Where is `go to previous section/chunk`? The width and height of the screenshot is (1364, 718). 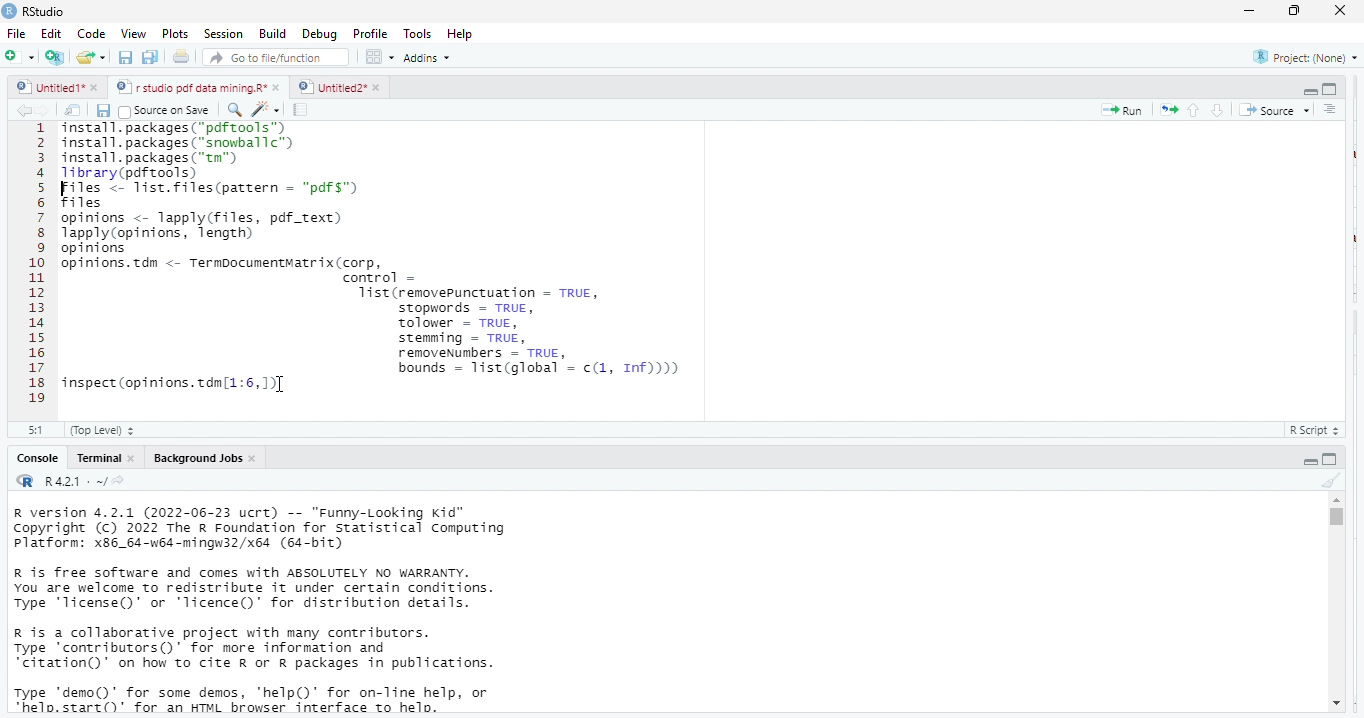
go to previous section/chunk is located at coordinates (1192, 110).